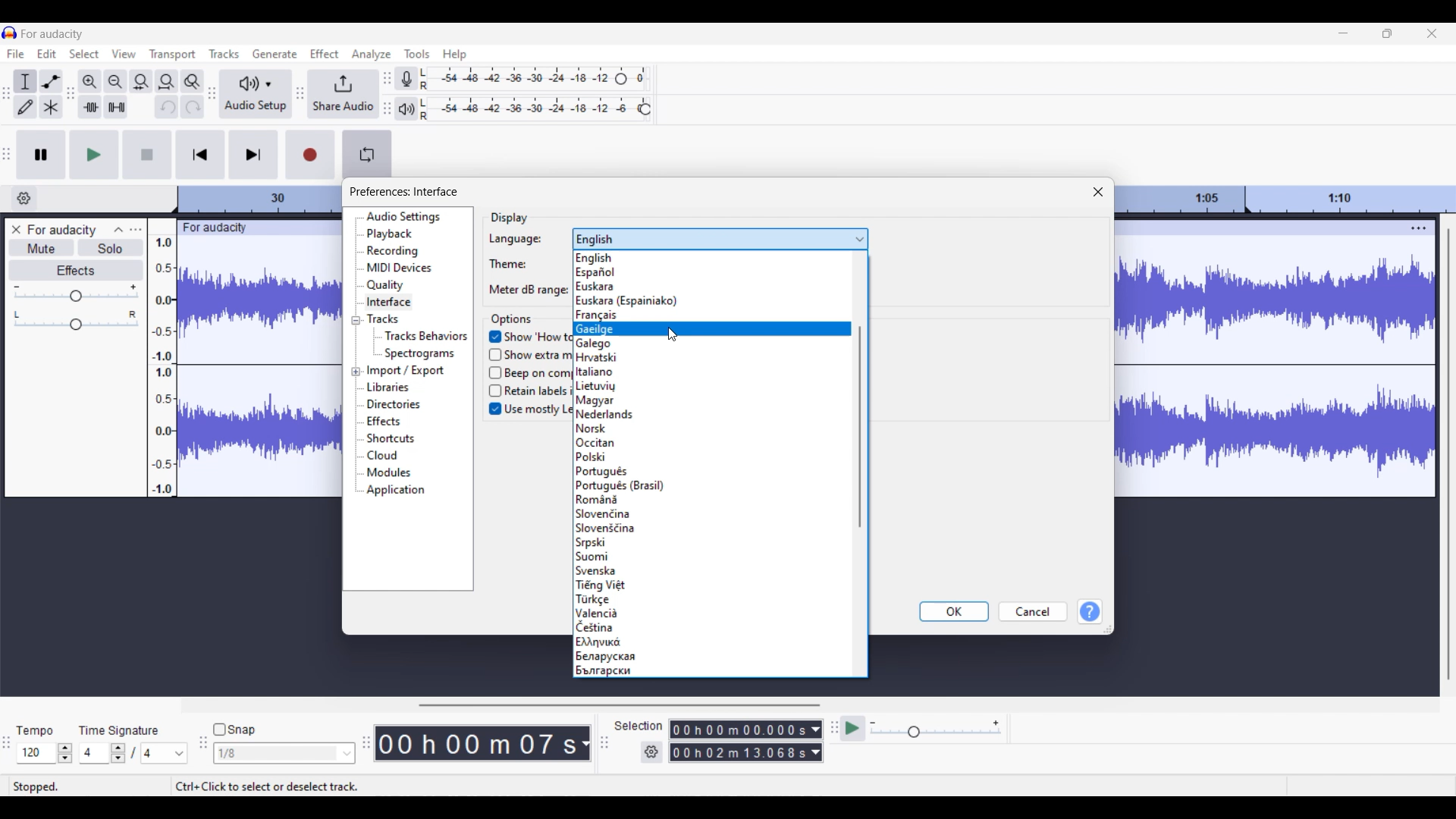 The height and width of the screenshot is (819, 1456). Describe the element at coordinates (42, 783) in the screenshot. I see `stopped` at that location.